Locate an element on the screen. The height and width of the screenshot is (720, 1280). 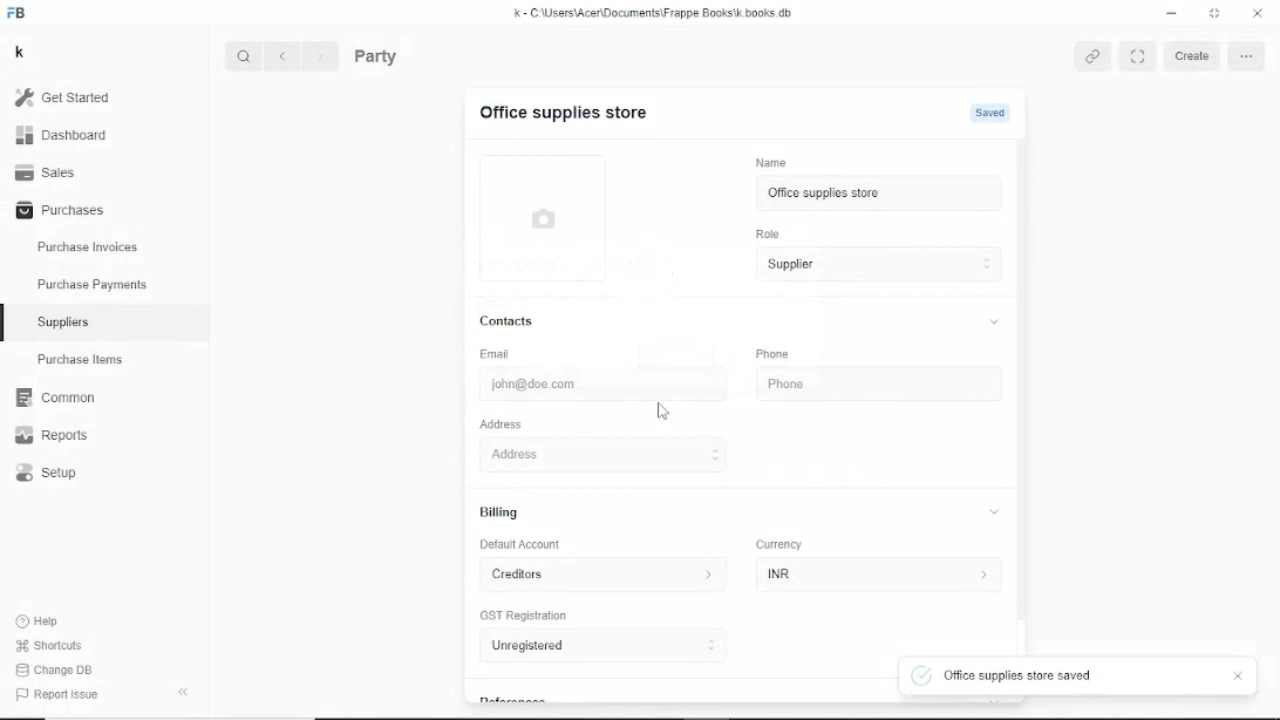
Minimize is located at coordinates (1171, 13).